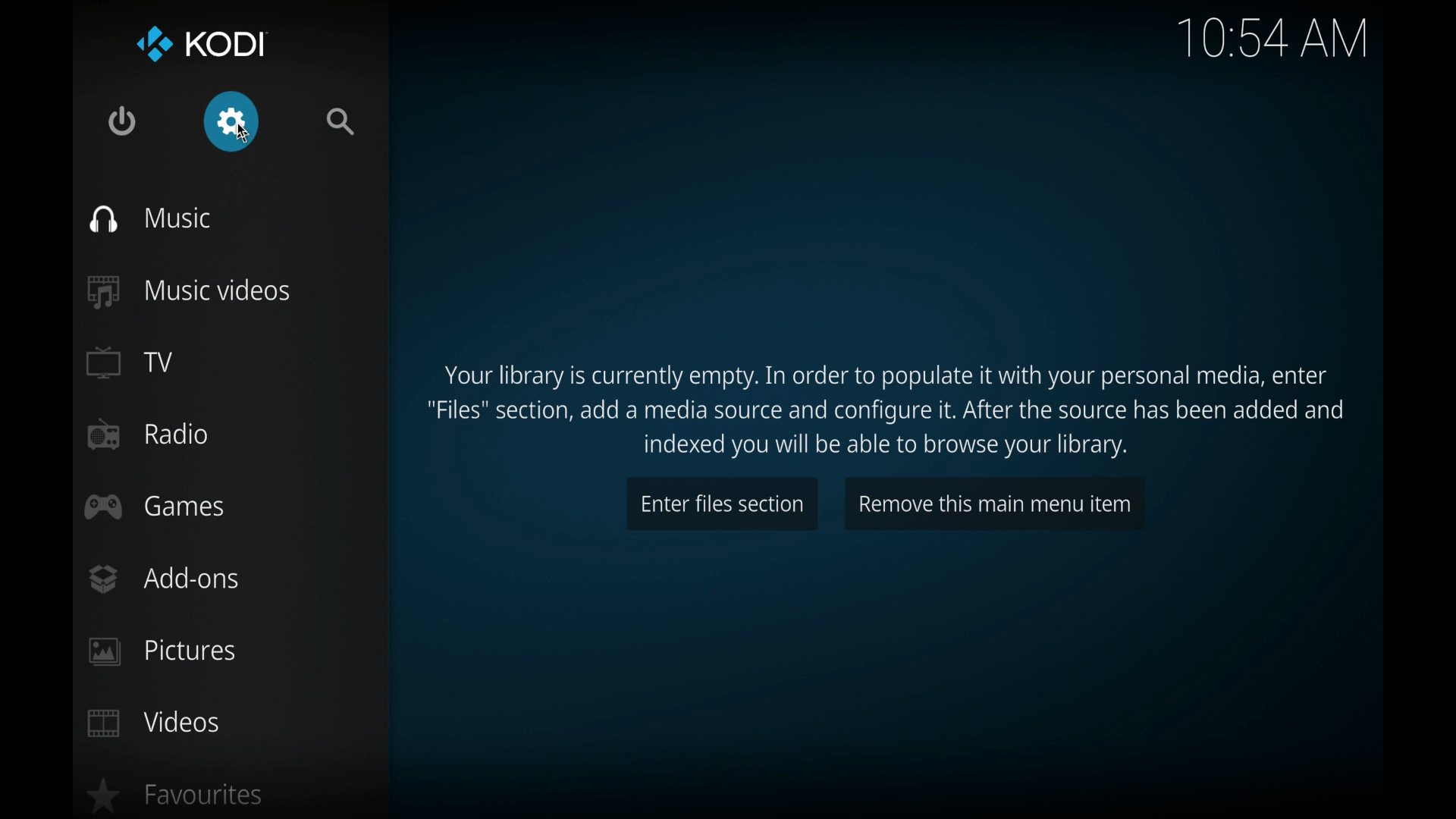 Image resolution: width=1456 pixels, height=819 pixels. What do you see at coordinates (341, 122) in the screenshot?
I see `search` at bounding box center [341, 122].